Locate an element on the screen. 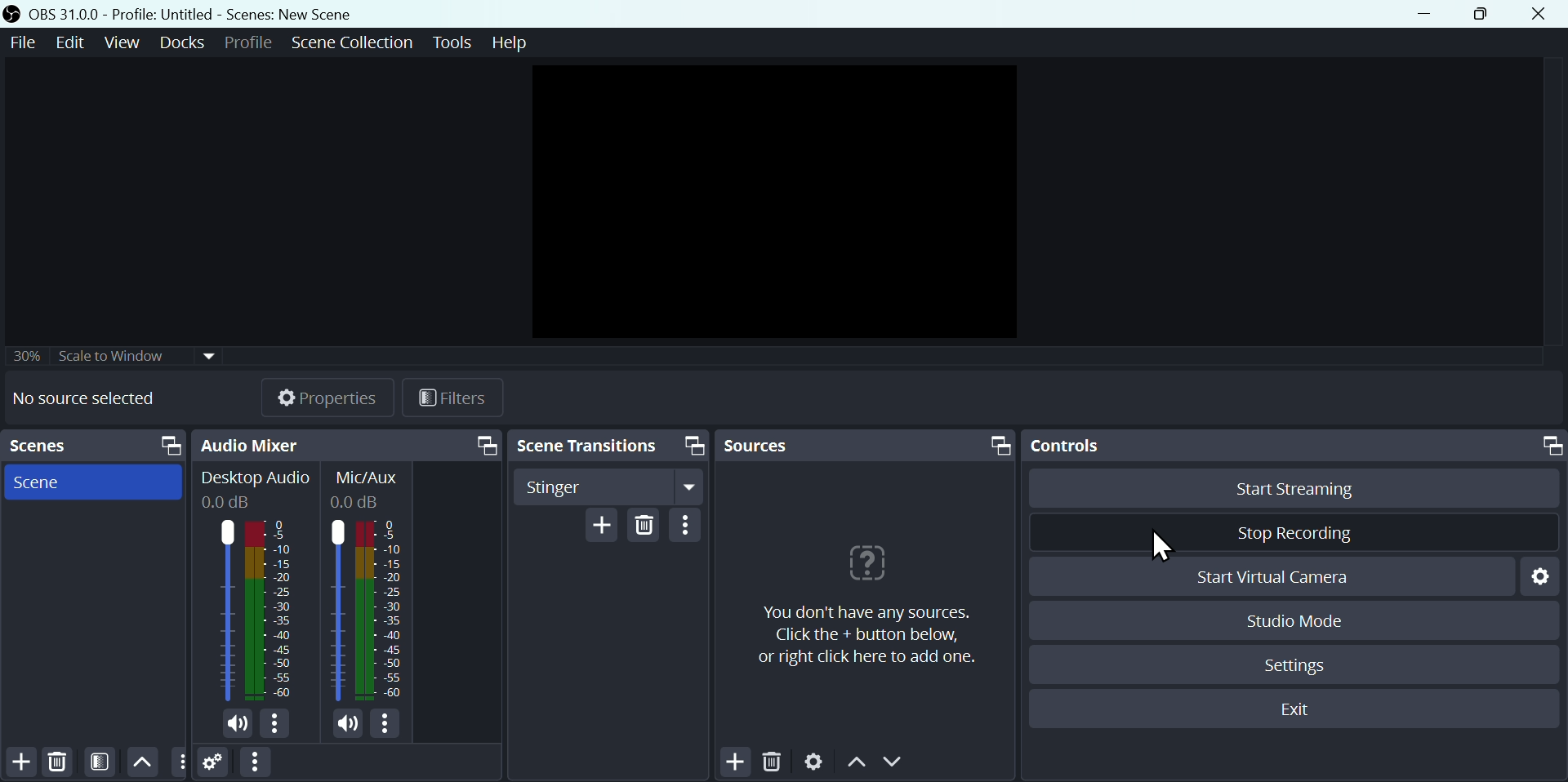 The image size is (1568, 782). scenes is located at coordinates (48, 447).